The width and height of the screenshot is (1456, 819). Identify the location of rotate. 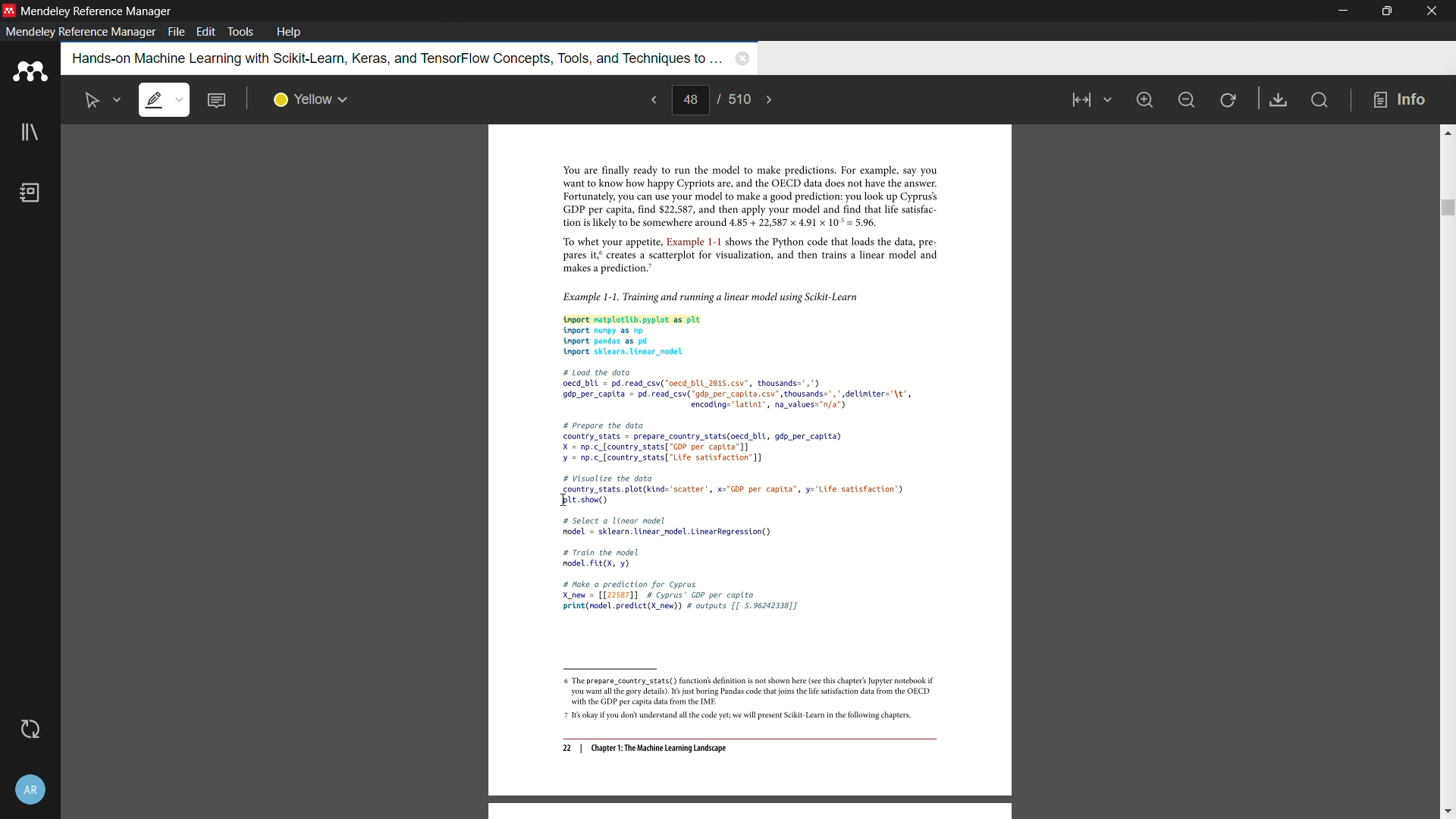
(1229, 101).